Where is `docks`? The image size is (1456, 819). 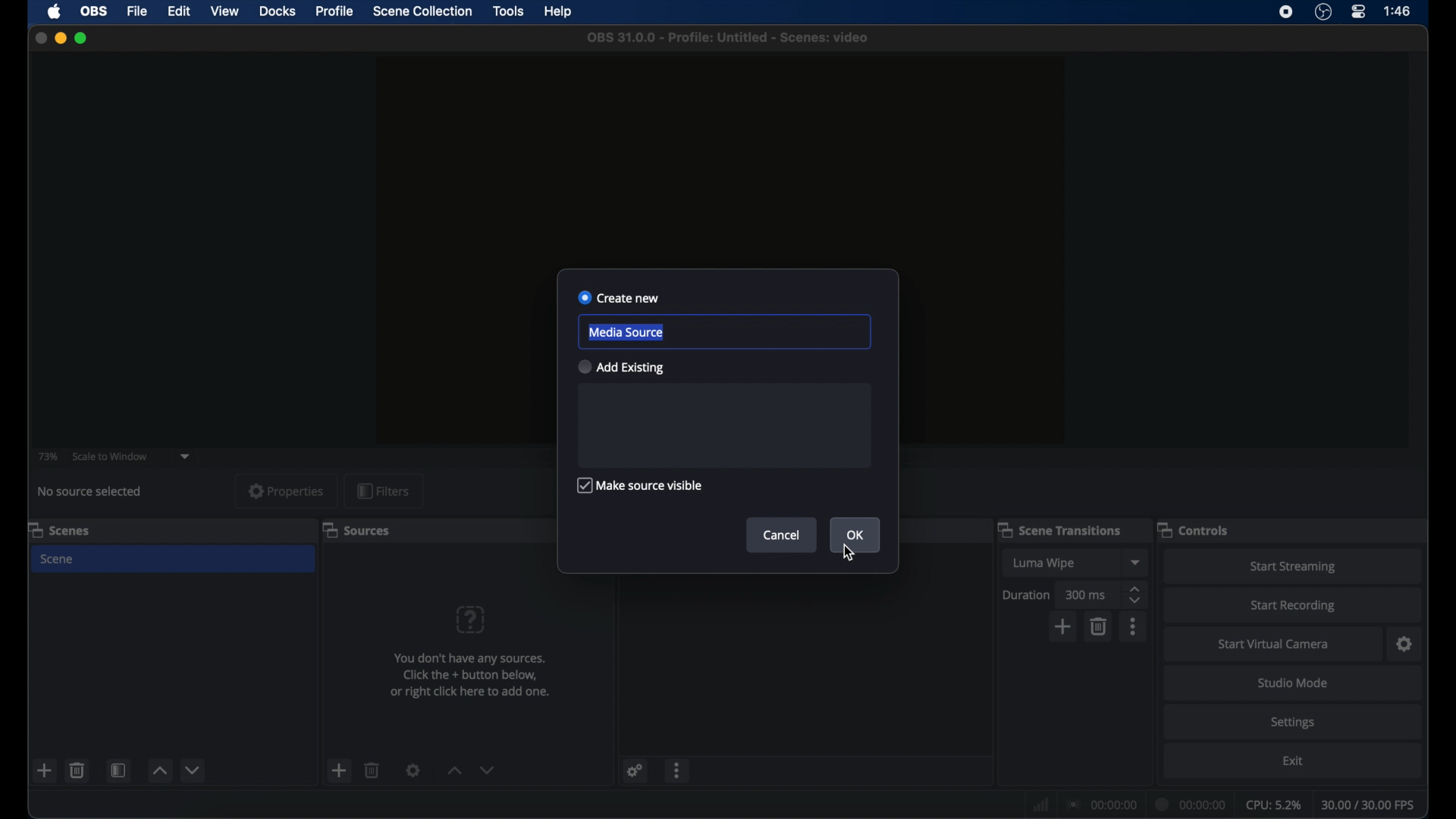 docks is located at coordinates (279, 11).